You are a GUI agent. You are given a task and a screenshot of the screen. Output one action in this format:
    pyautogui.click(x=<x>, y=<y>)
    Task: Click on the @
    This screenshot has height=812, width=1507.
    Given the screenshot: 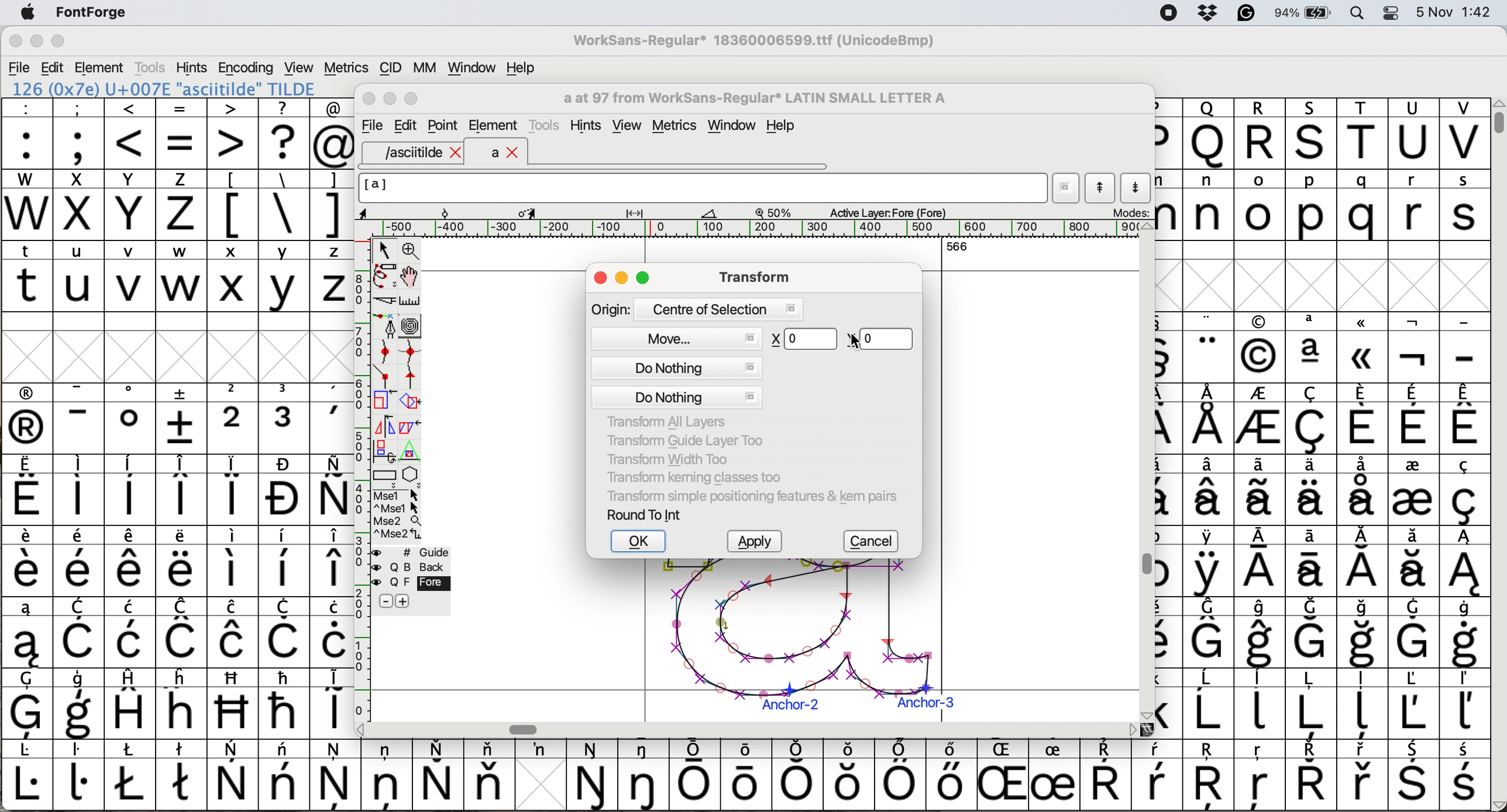 What is the action you would take?
    pyautogui.click(x=333, y=134)
    